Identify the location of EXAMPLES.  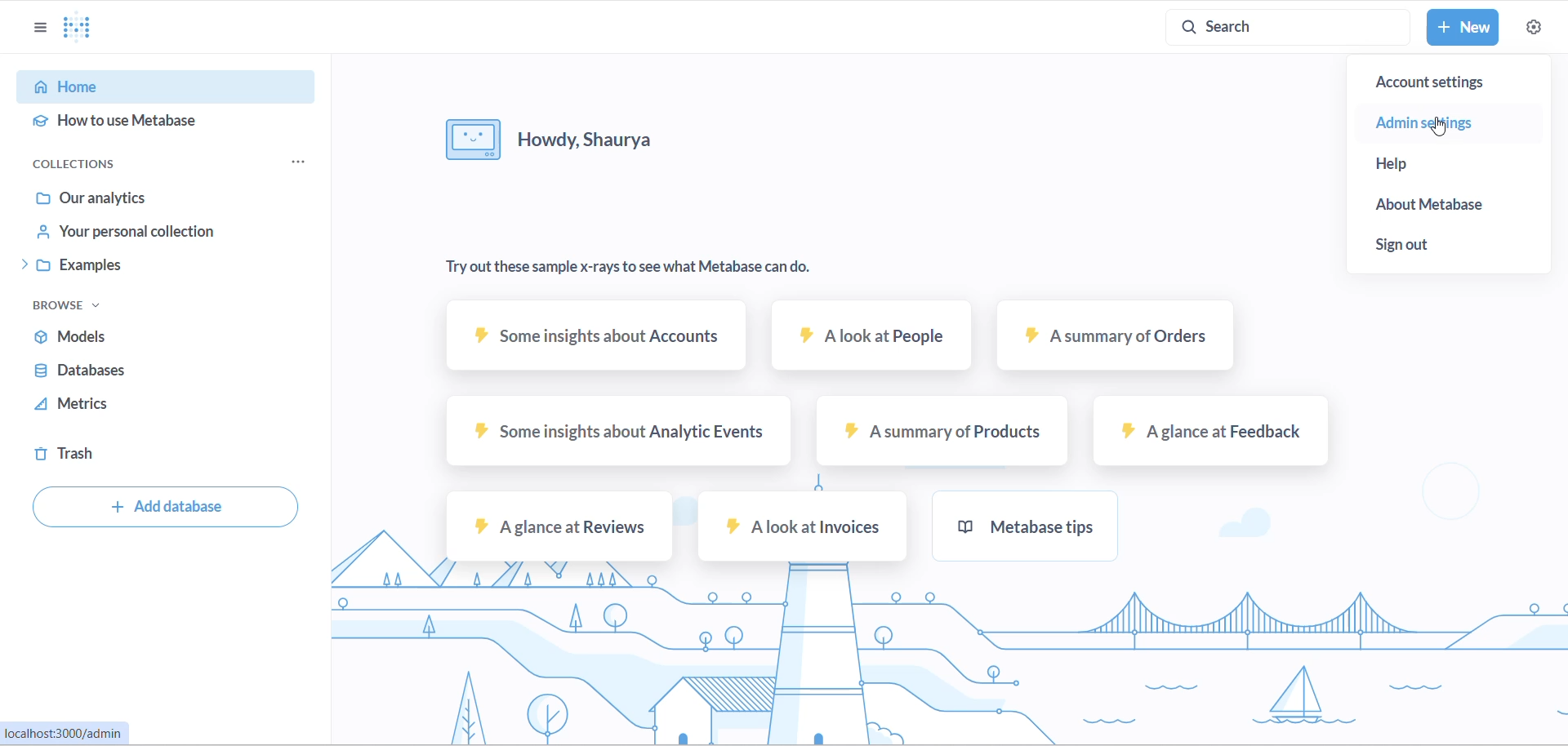
(123, 268).